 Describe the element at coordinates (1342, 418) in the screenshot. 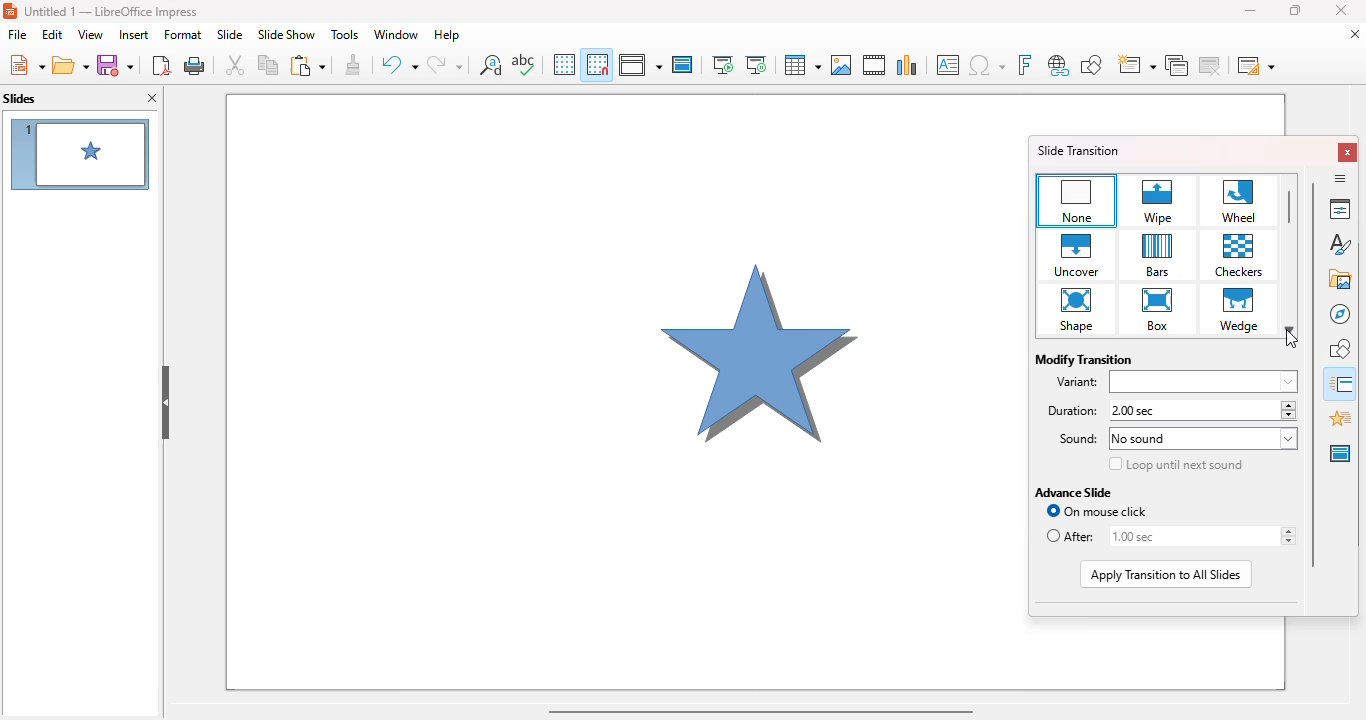

I see `animation` at that location.